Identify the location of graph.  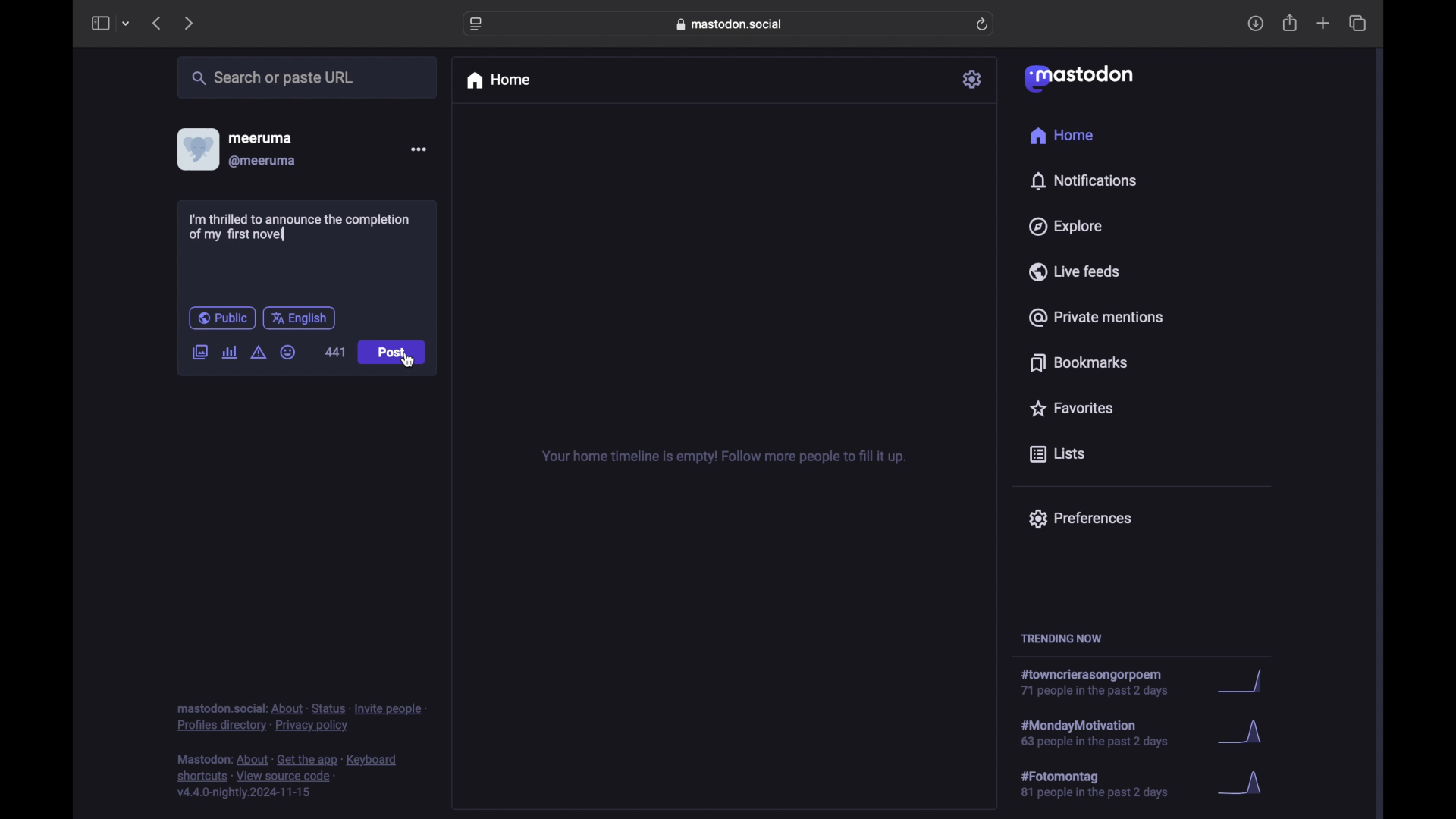
(1246, 682).